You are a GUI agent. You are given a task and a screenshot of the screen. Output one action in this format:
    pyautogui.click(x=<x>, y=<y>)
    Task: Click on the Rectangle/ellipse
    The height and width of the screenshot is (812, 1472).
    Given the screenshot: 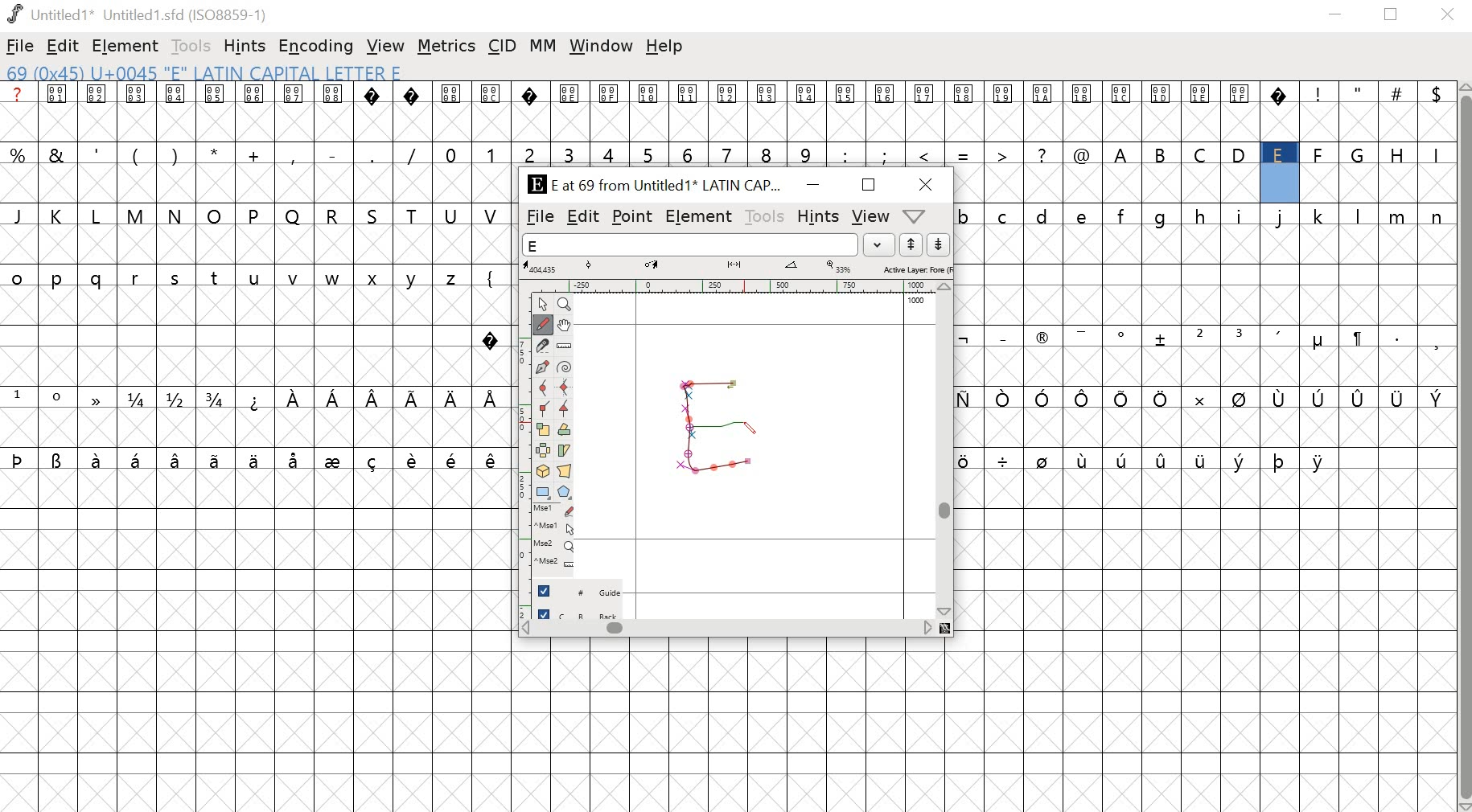 What is the action you would take?
    pyautogui.click(x=542, y=493)
    